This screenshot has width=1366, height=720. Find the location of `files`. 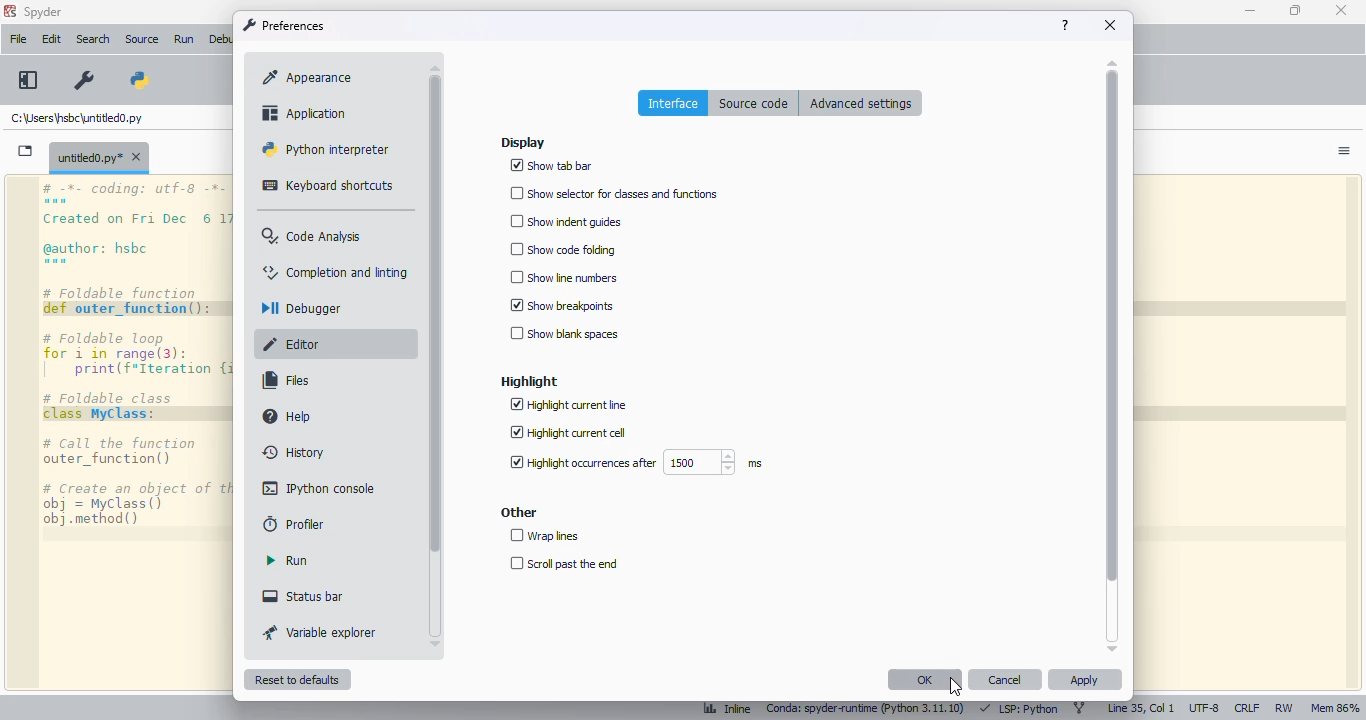

files is located at coordinates (287, 380).